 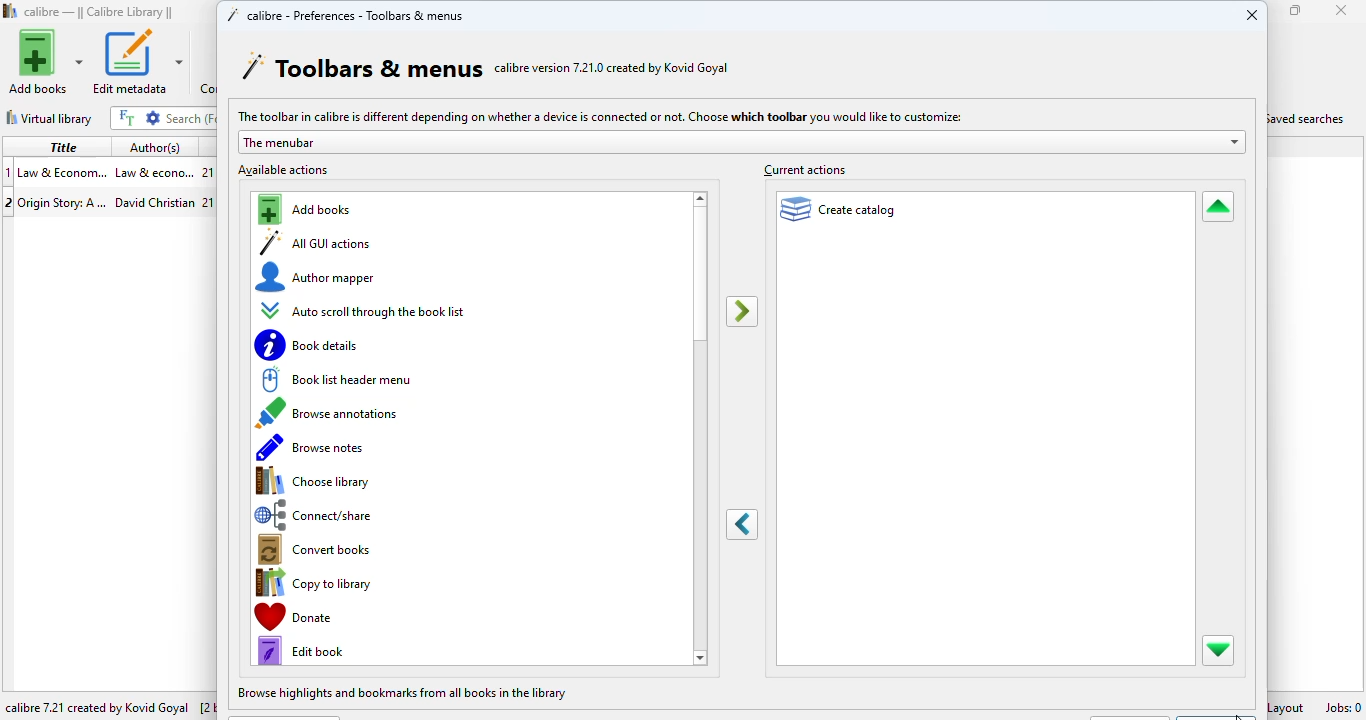 I want to click on add books, so click(x=46, y=61).